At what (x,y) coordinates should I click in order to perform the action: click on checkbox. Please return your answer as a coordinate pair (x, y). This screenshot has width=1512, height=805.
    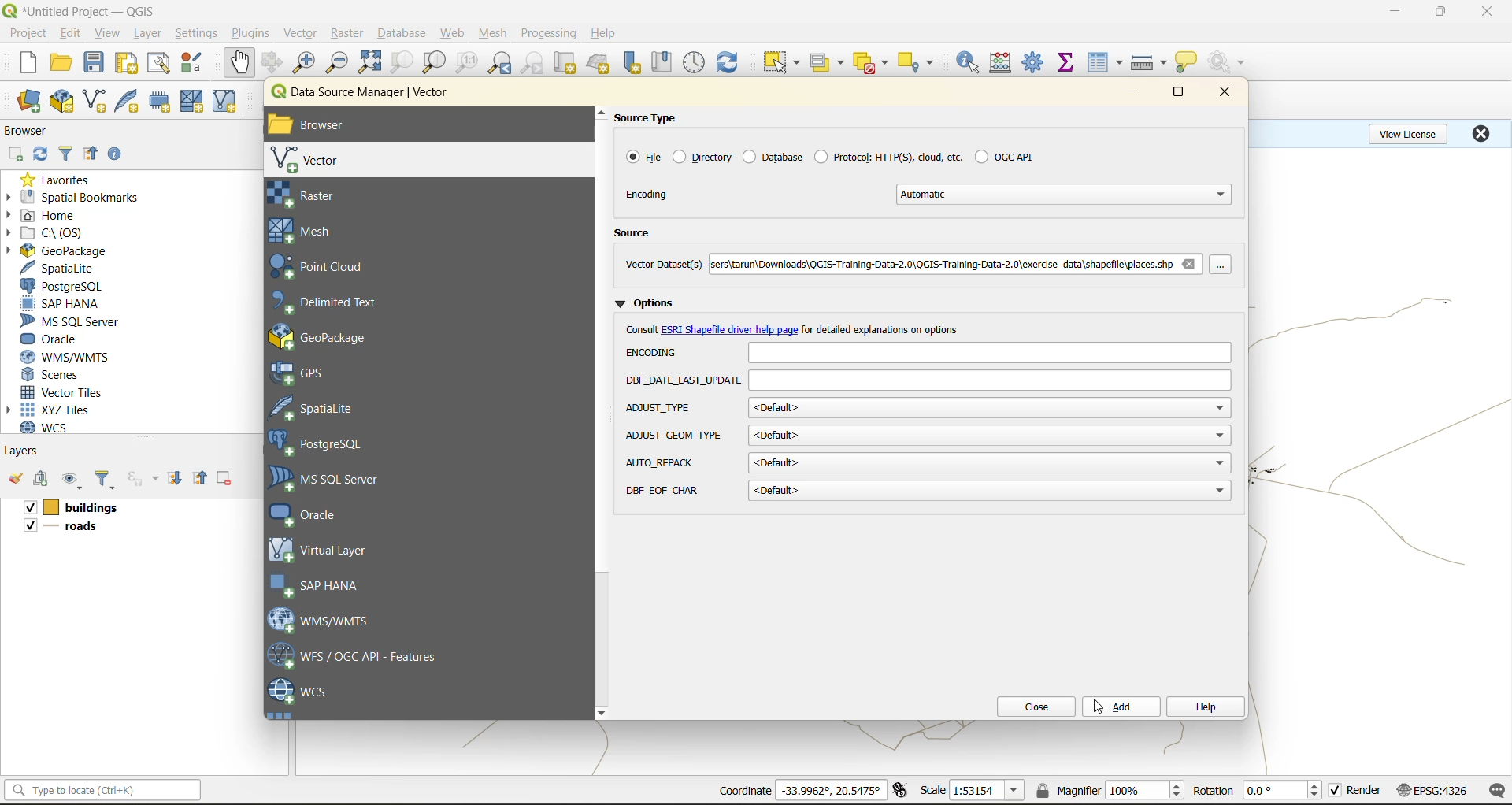
    Looking at the image, I should click on (28, 508).